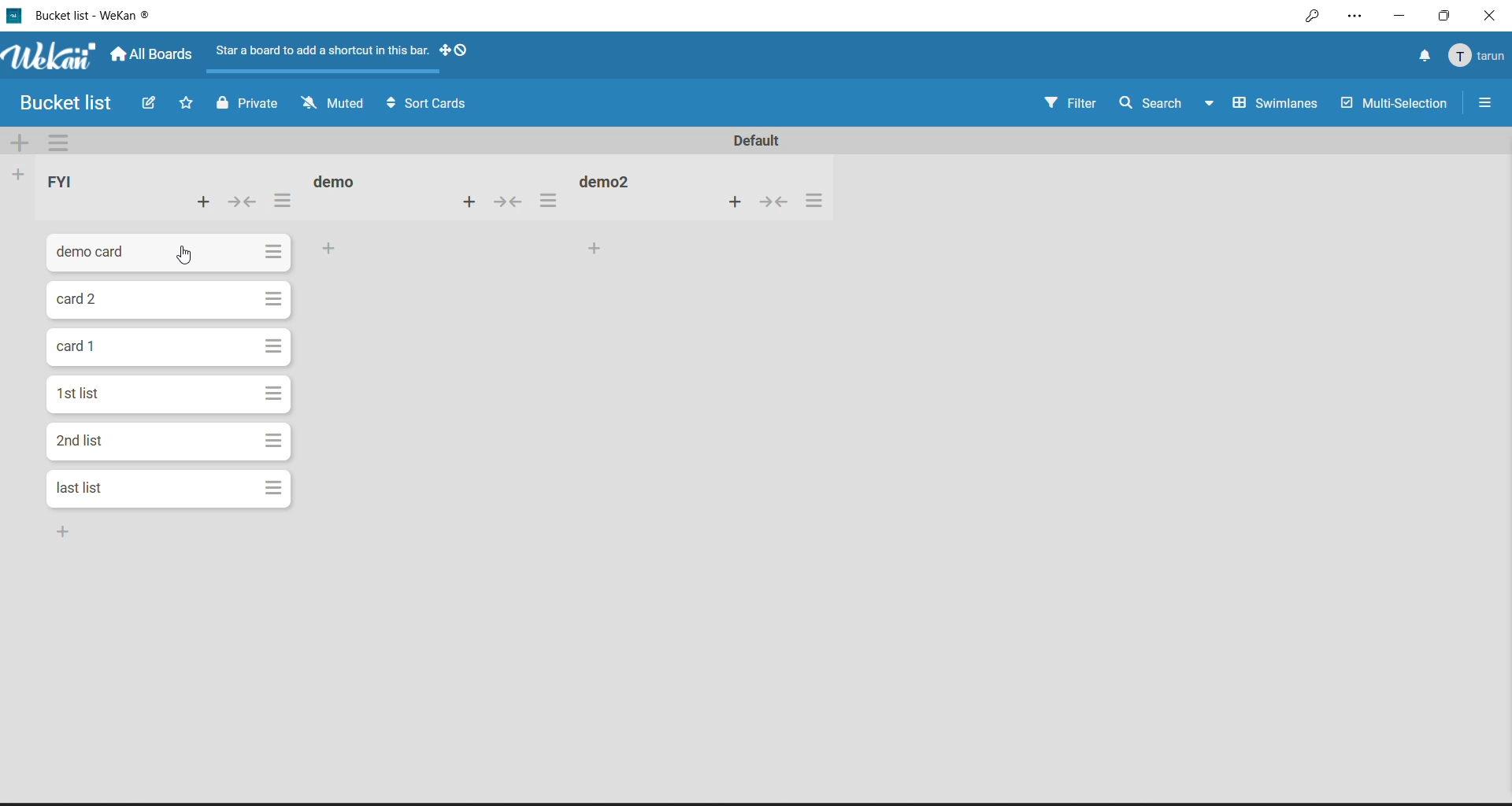 The image size is (1512, 806). Describe the element at coordinates (151, 104) in the screenshot. I see `edit` at that location.